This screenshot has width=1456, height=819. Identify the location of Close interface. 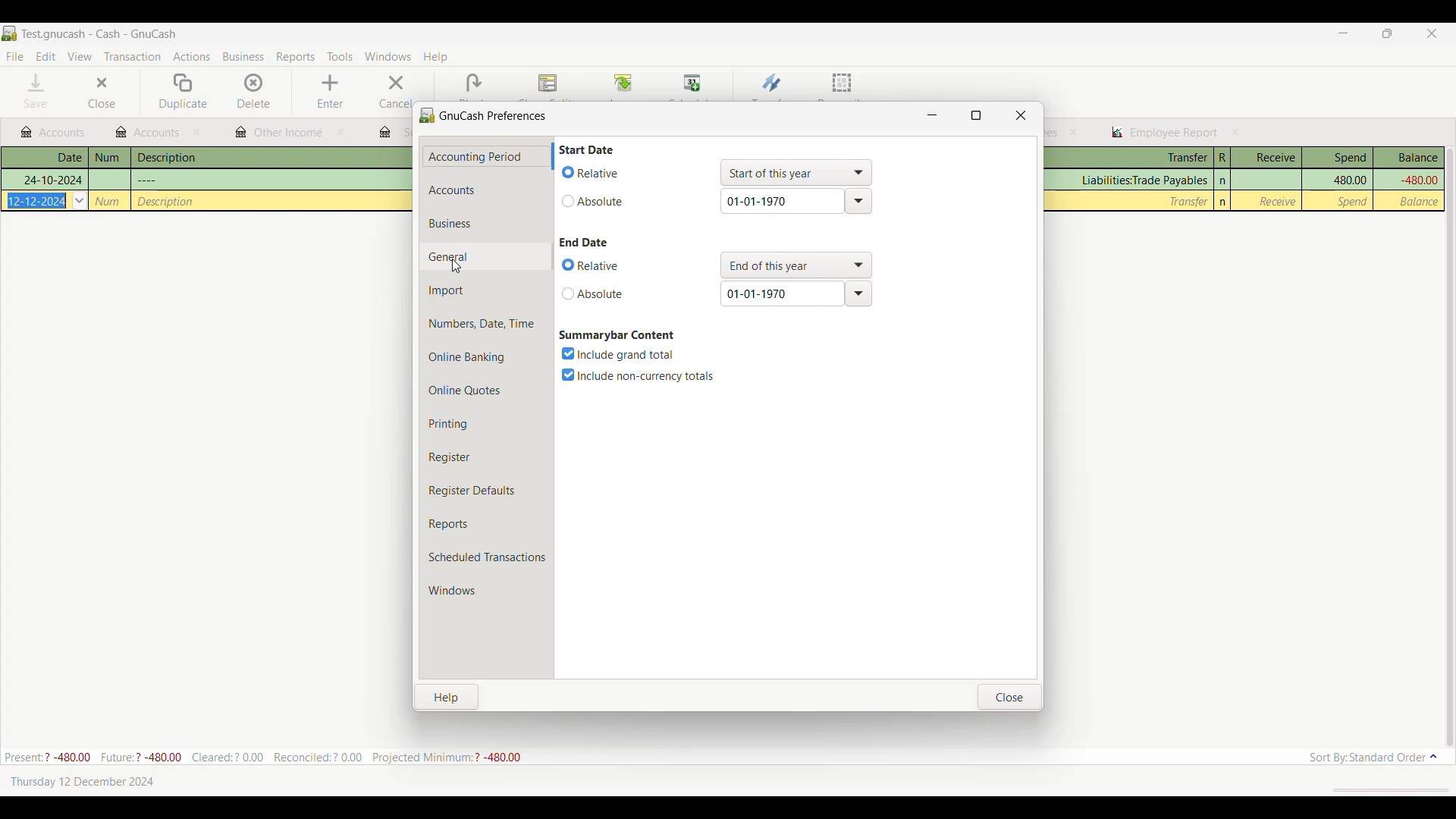
(1432, 33).